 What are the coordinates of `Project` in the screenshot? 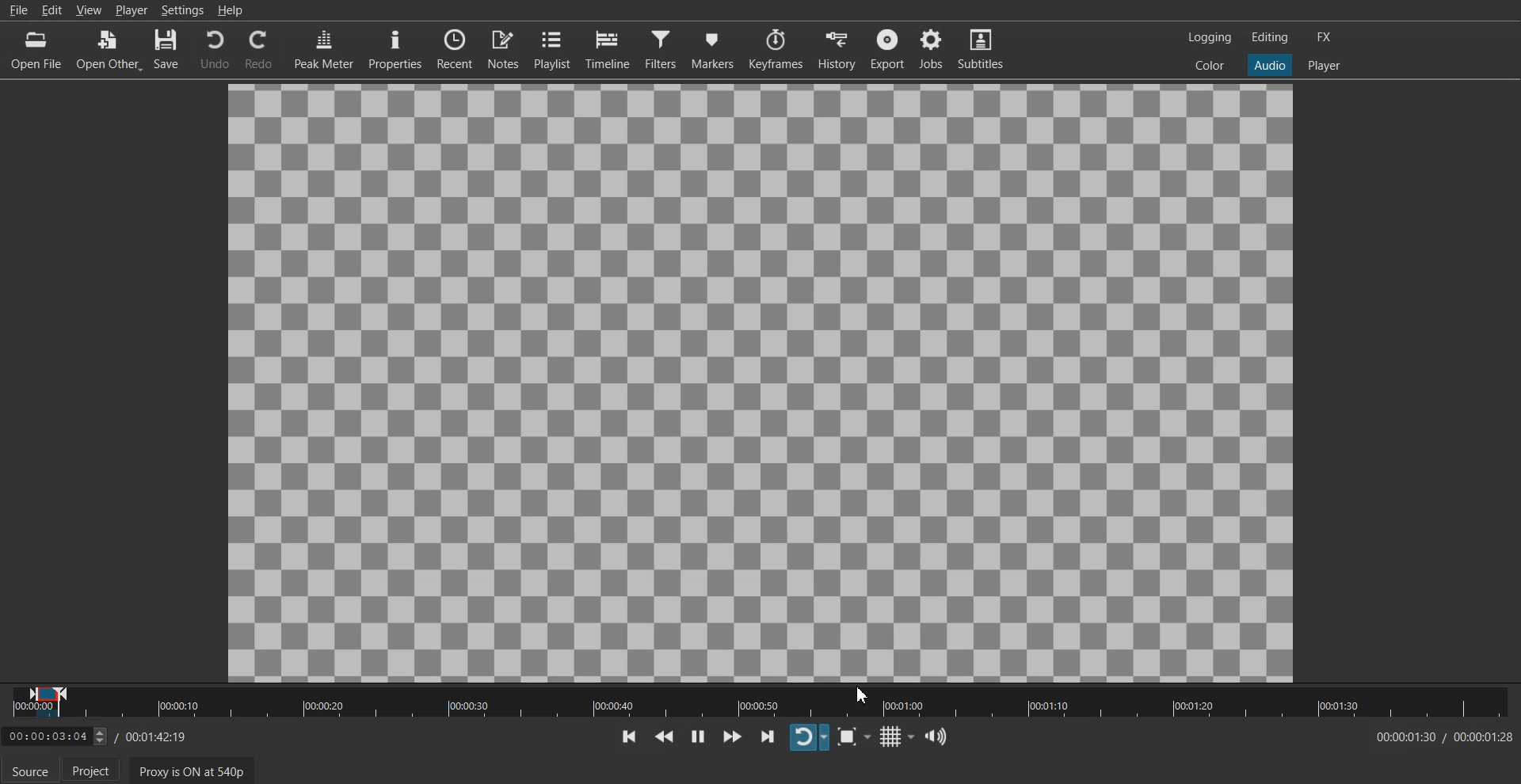 It's located at (96, 771).